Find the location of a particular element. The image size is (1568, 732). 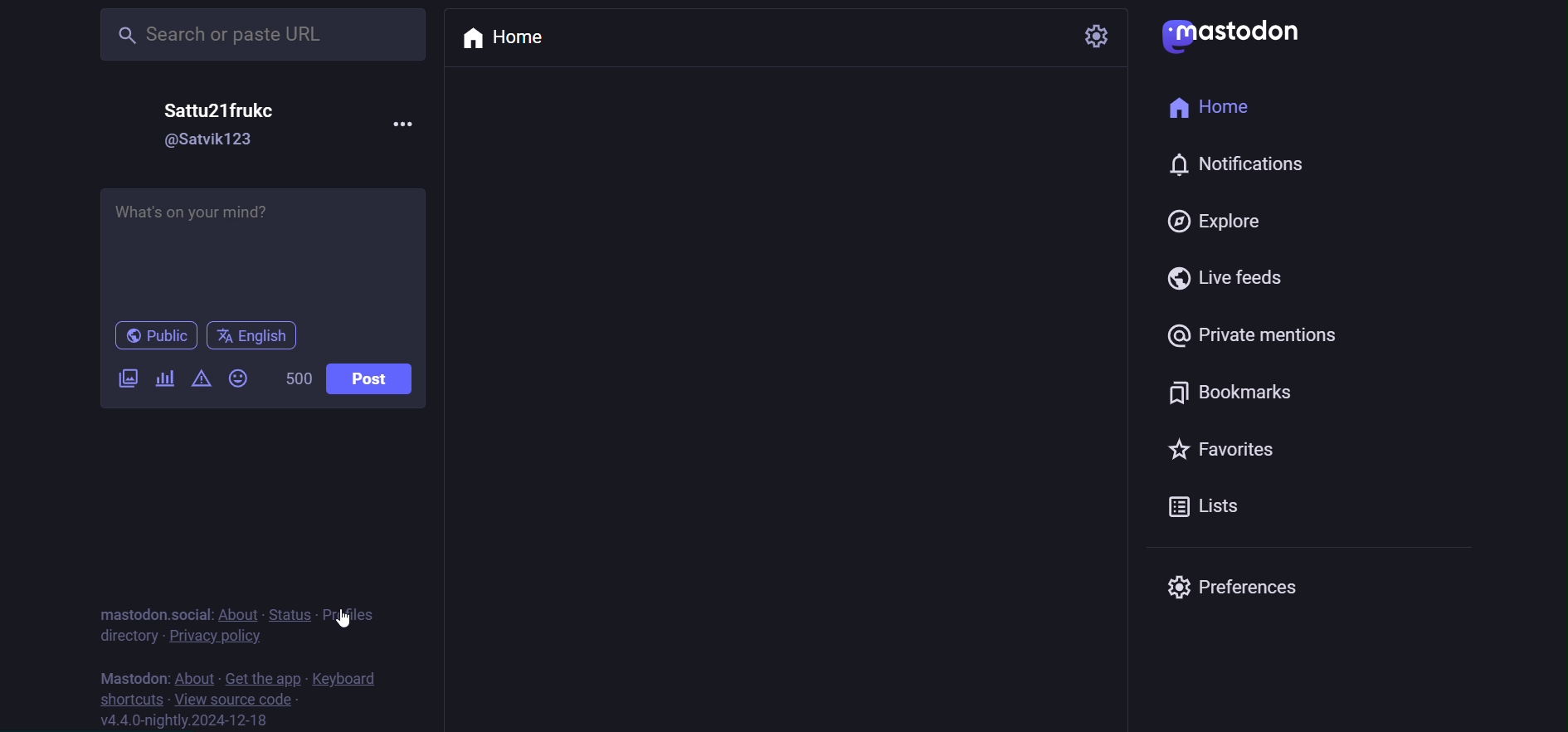

cursor is located at coordinates (348, 626).